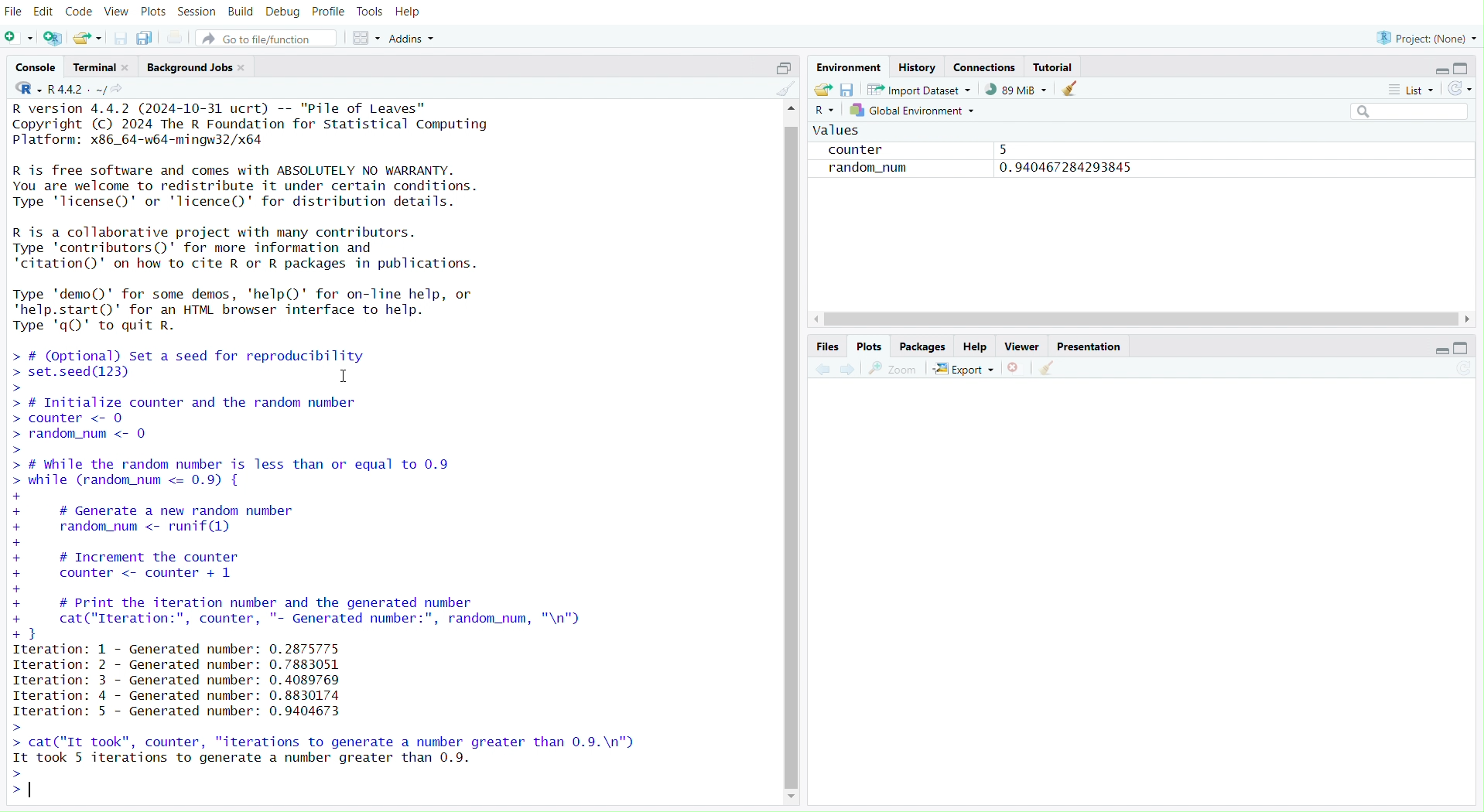 The image size is (1484, 812). Describe the element at coordinates (1443, 350) in the screenshot. I see `Minimize` at that location.